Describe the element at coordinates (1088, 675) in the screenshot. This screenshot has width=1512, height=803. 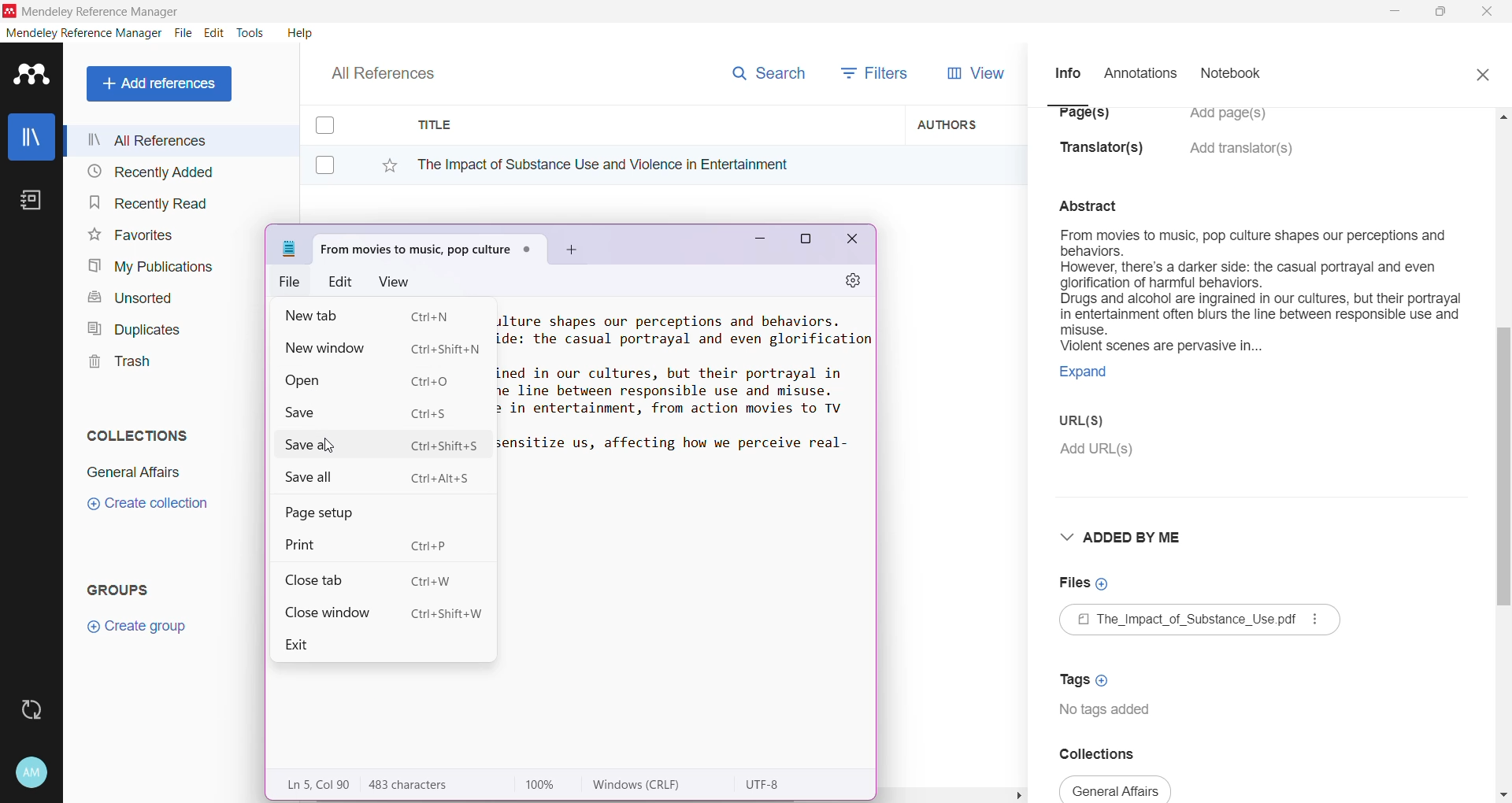
I see `Click to Add Tags` at that location.